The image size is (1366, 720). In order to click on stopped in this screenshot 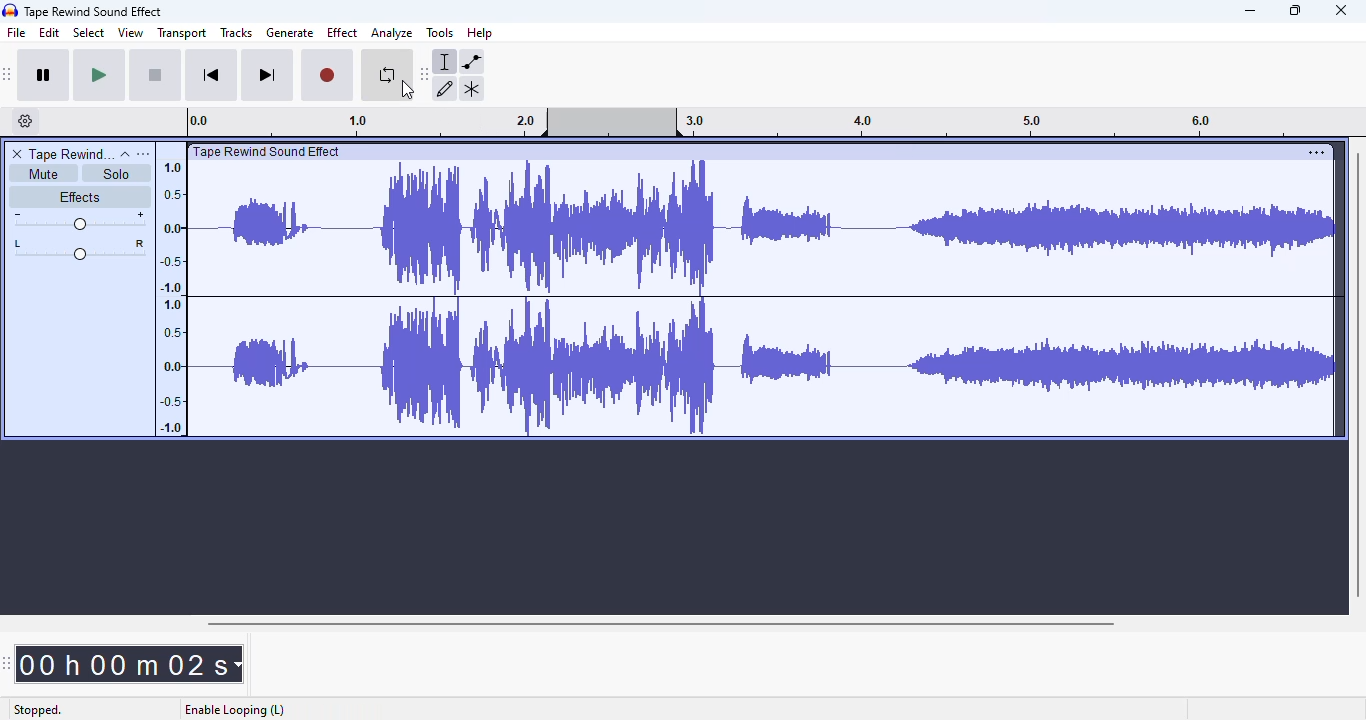, I will do `click(37, 711)`.